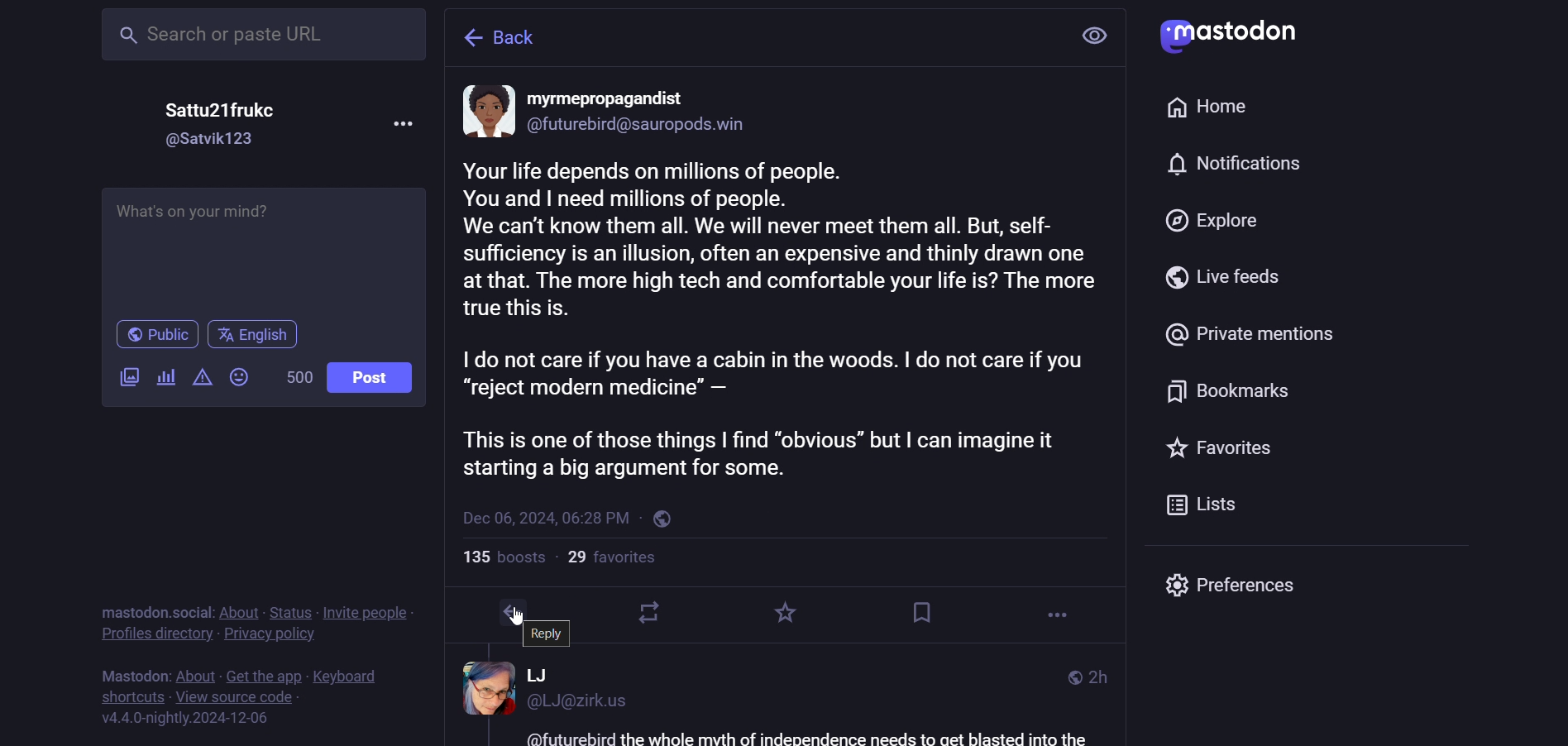  What do you see at coordinates (401, 119) in the screenshot?
I see `more` at bounding box center [401, 119].